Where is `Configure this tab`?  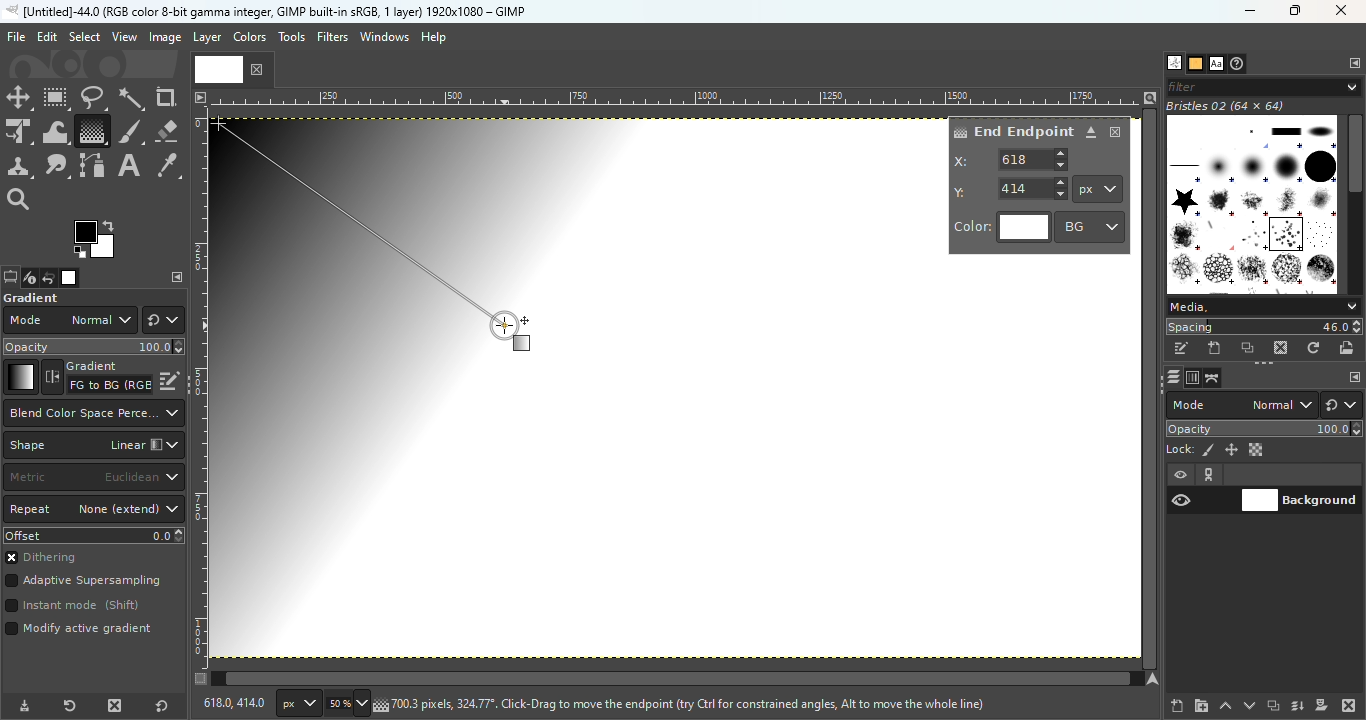
Configure this tab is located at coordinates (1353, 378).